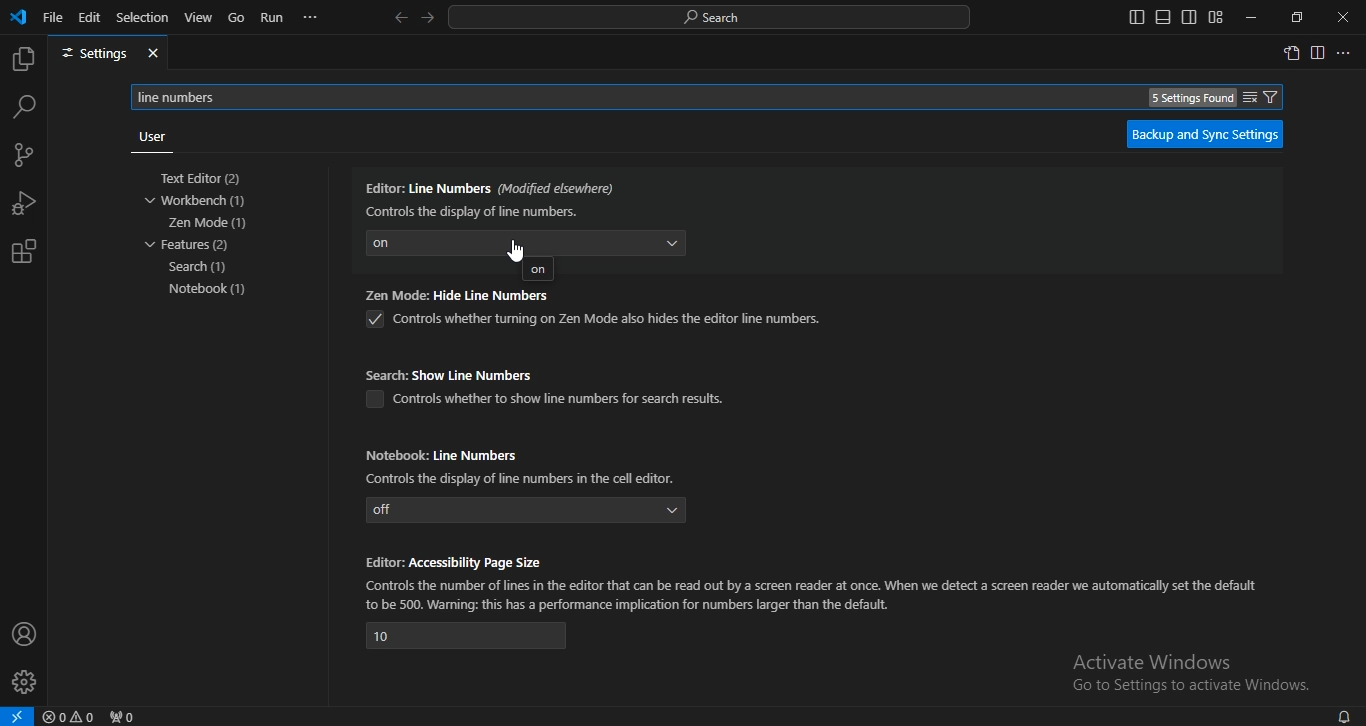 This screenshot has width=1366, height=726. What do you see at coordinates (714, 96) in the screenshot?
I see `search settings` at bounding box center [714, 96].